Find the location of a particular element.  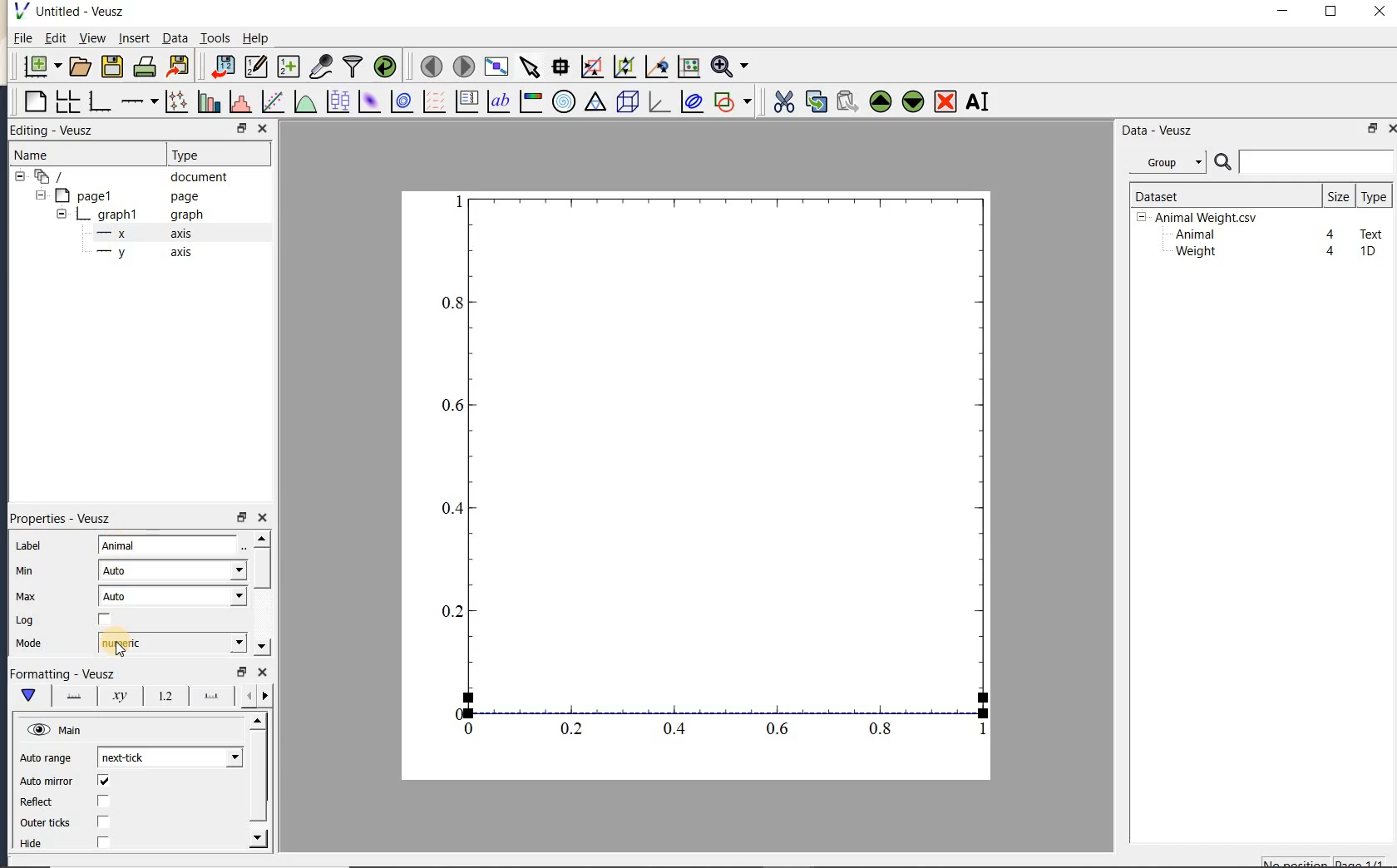

edit and enter new datasets is located at coordinates (255, 67).